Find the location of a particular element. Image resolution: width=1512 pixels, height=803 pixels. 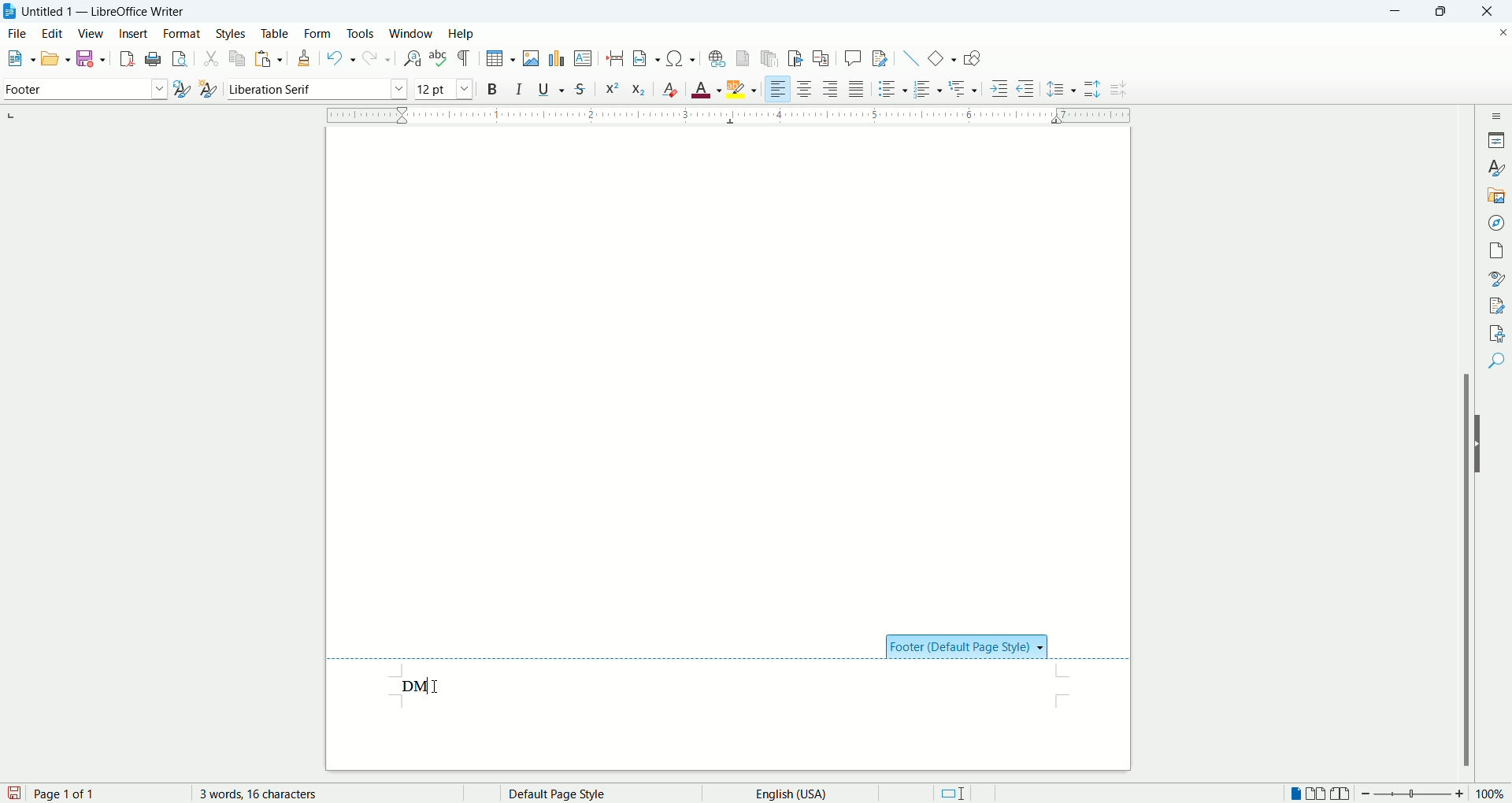

Untitled 1 - LibreOffice Writer is located at coordinates (107, 11).